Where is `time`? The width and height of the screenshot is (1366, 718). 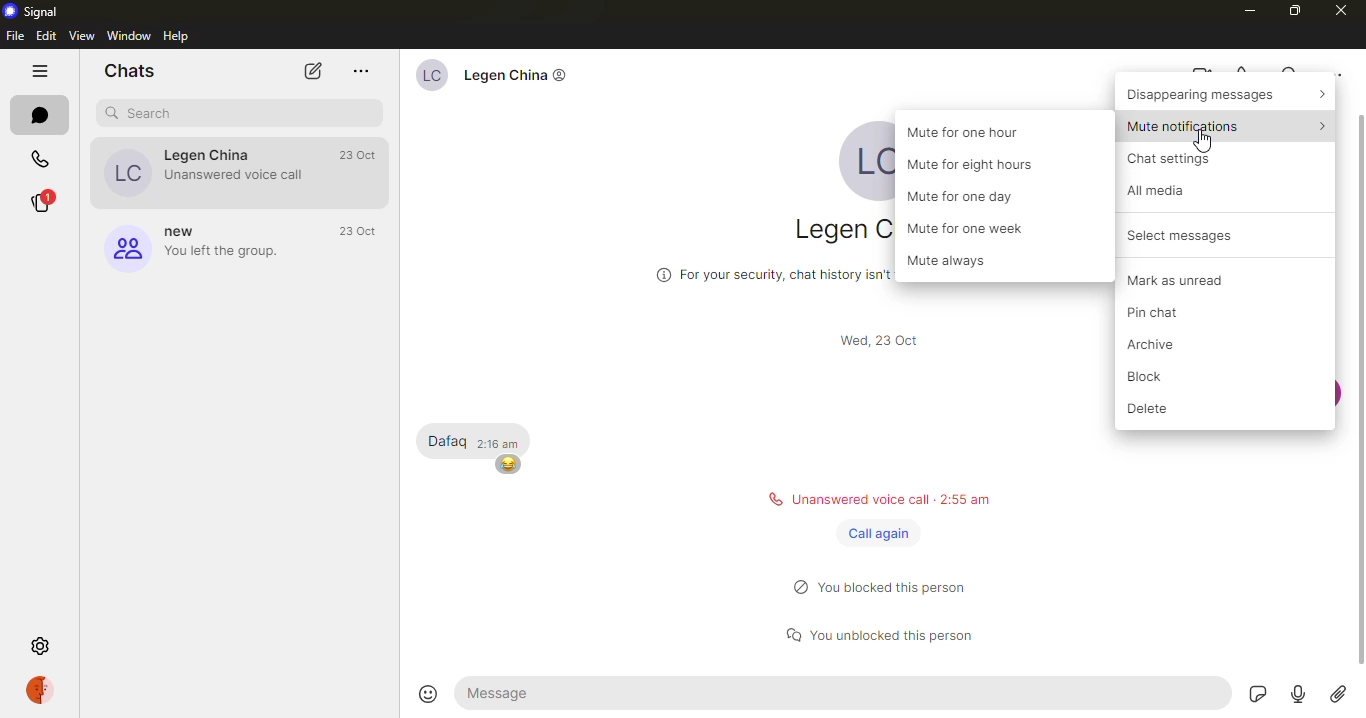 time is located at coordinates (363, 229).